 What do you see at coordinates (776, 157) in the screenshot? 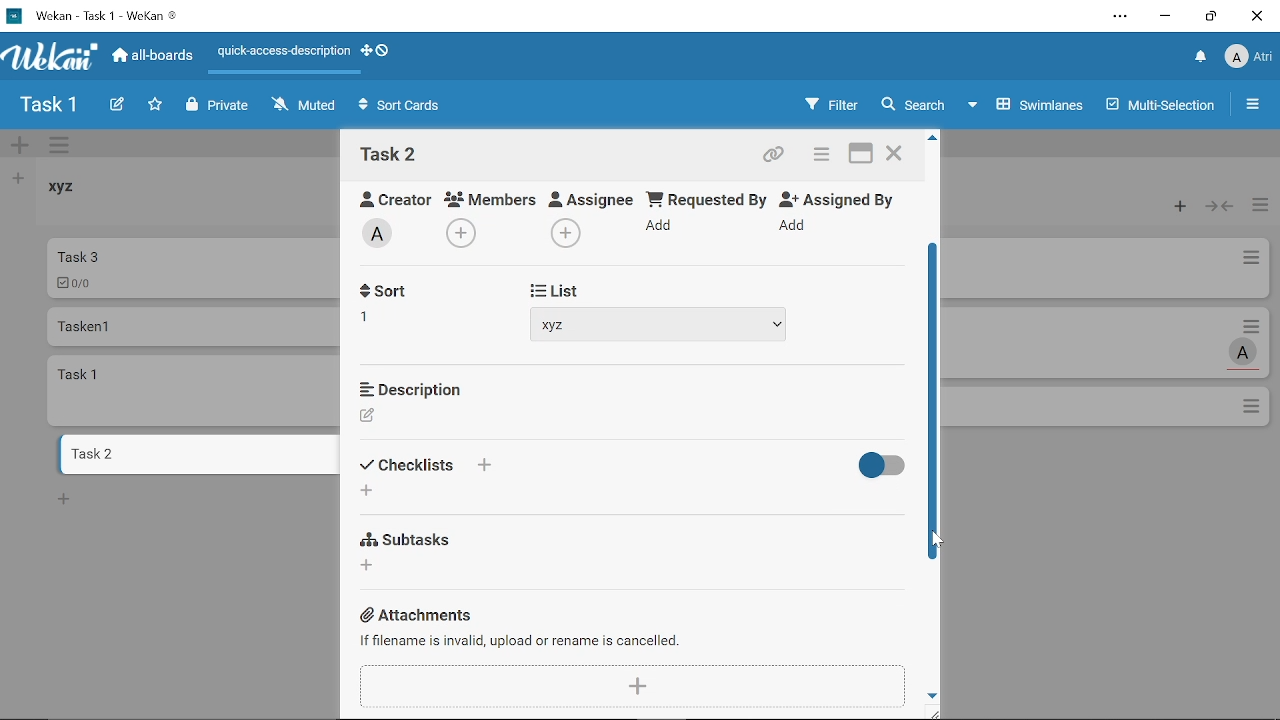
I see `Copy card link to clipboard` at bounding box center [776, 157].